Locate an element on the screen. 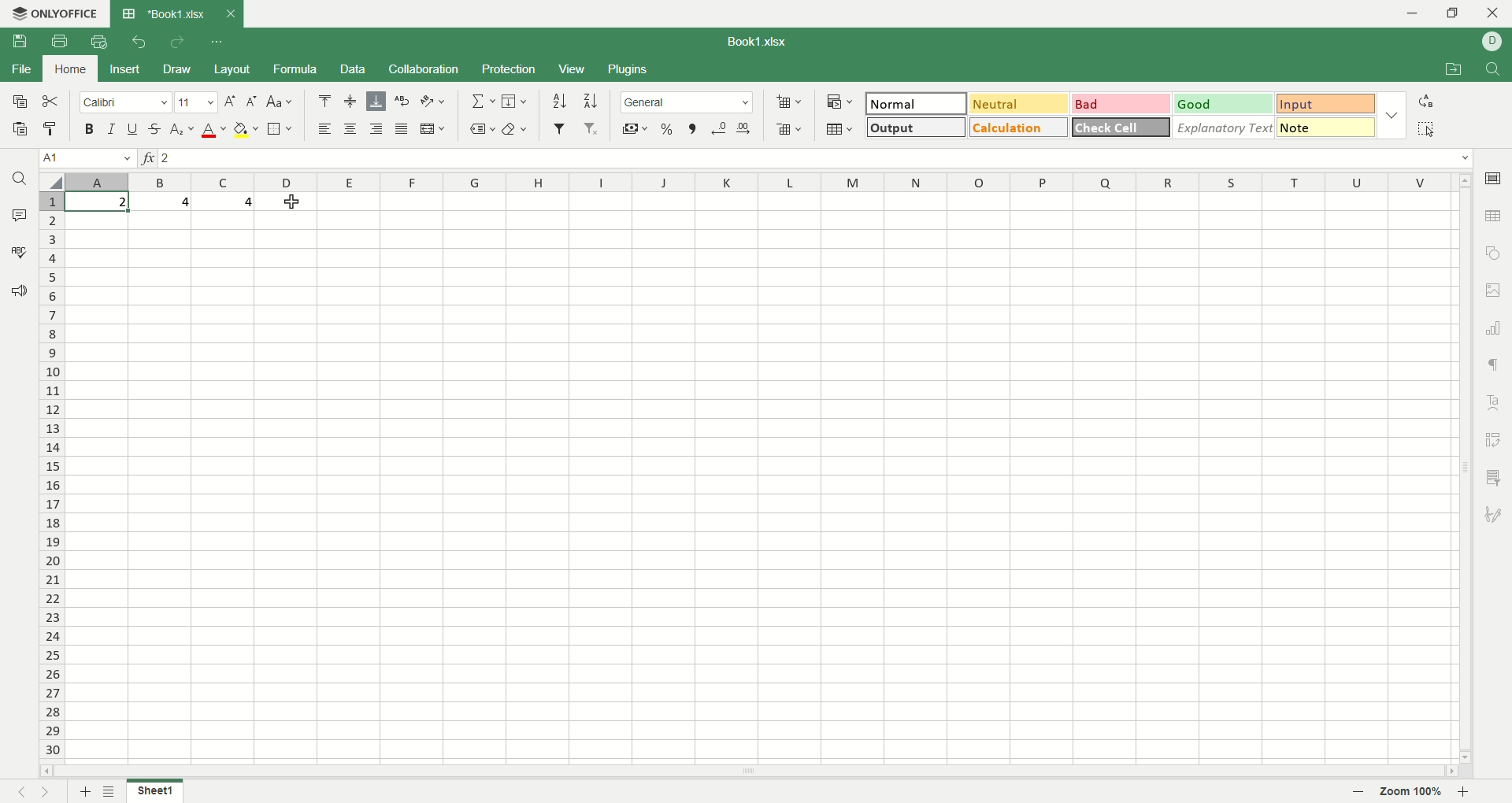 Image resolution: width=1512 pixels, height=803 pixels. fill is located at coordinates (517, 102).